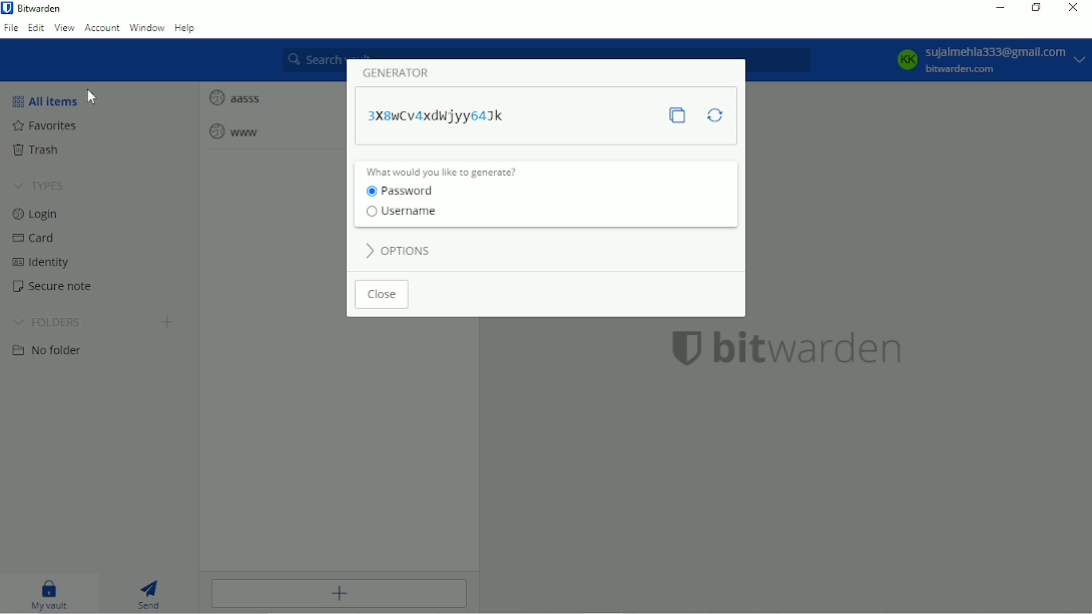 The width and height of the screenshot is (1092, 614). I want to click on Cursor, so click(92, 97).